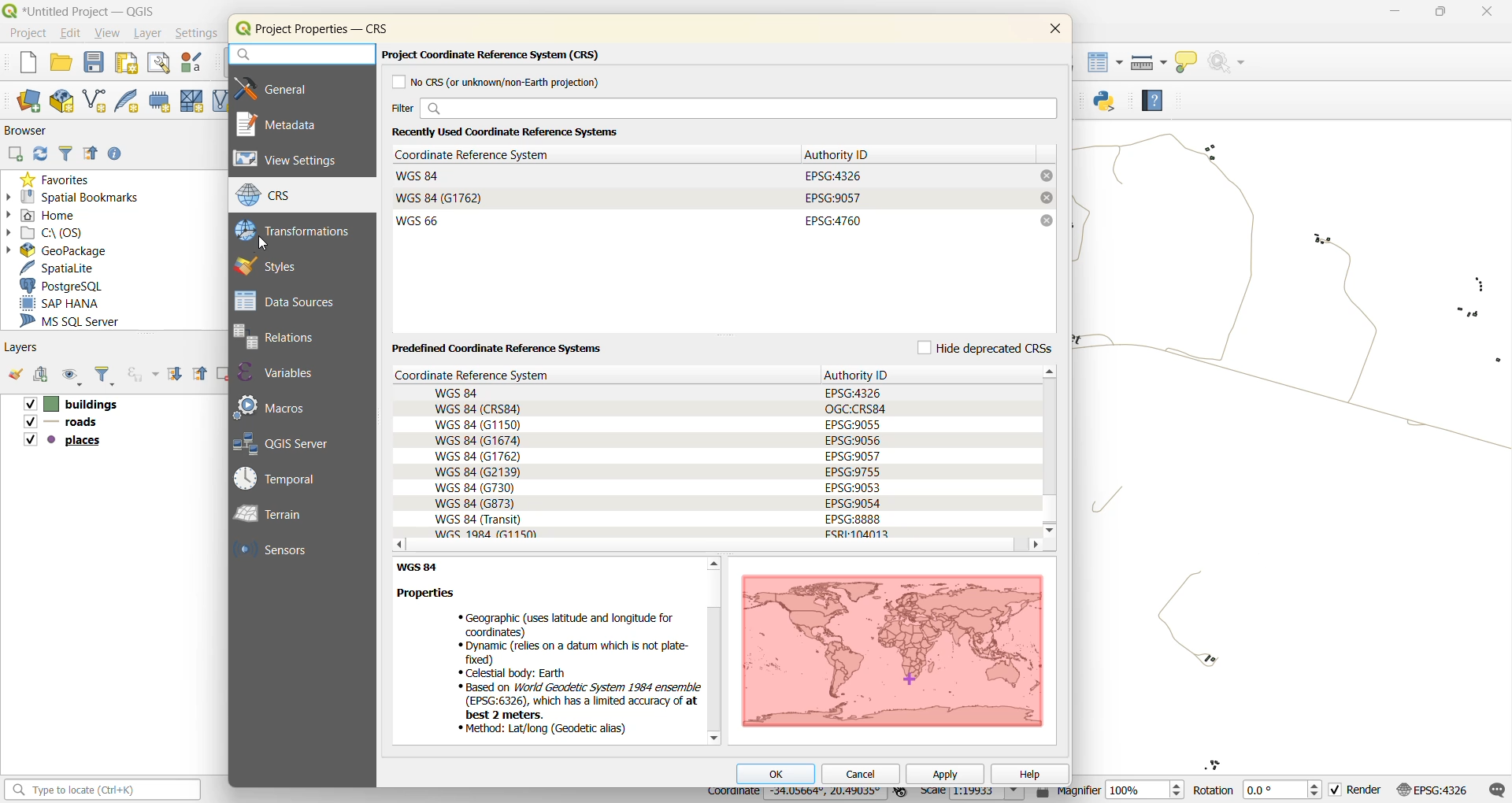 The image size is (1512, 803). I want to click on variables, so click(288, 373).